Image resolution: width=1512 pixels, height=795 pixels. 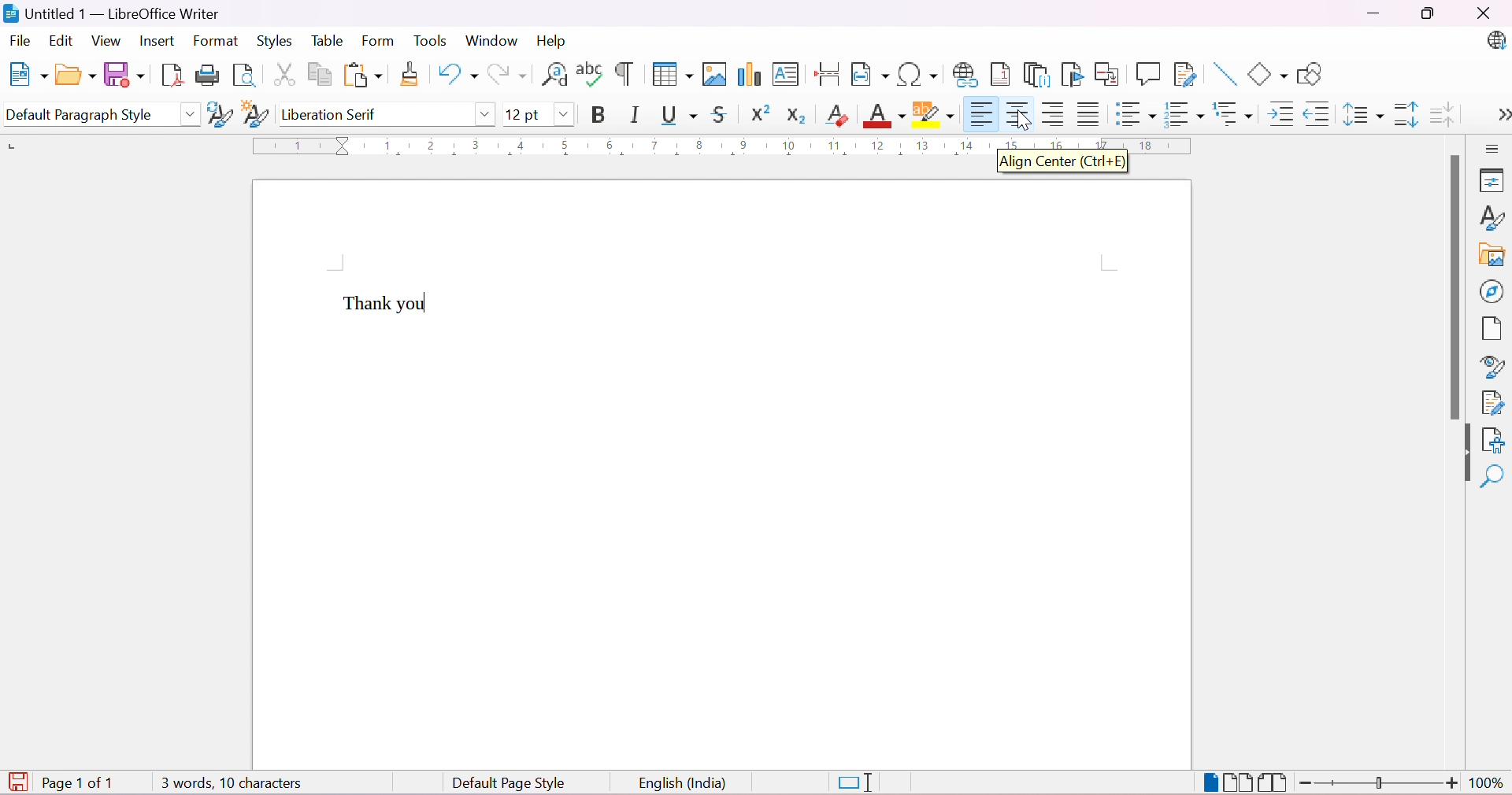 What do you see at coordinates (672, 74) in the screenshot?
I see `Insert Table` at bounding box center [672, 74].